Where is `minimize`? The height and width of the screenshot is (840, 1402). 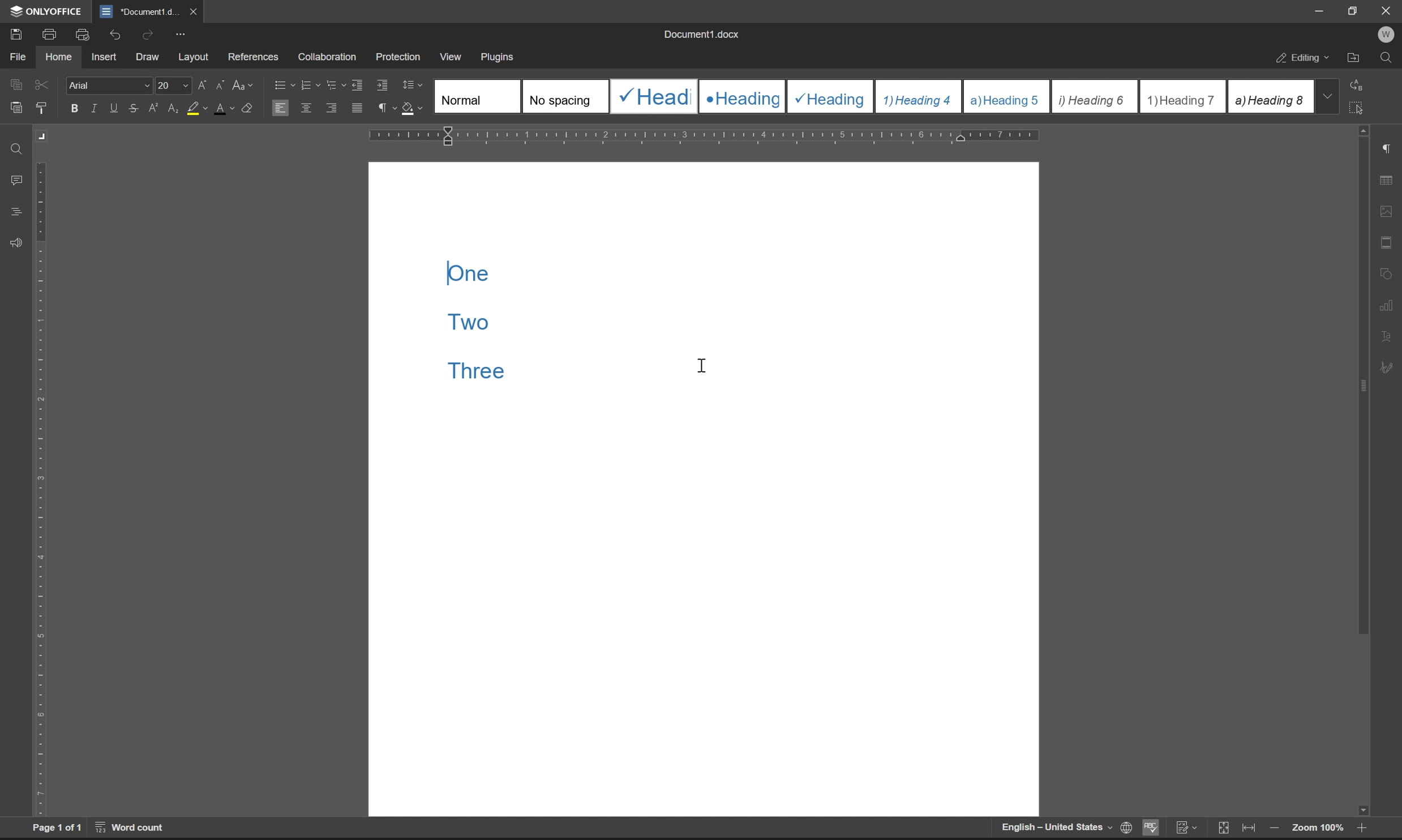
minimize is located at coordinates (1320, 11).